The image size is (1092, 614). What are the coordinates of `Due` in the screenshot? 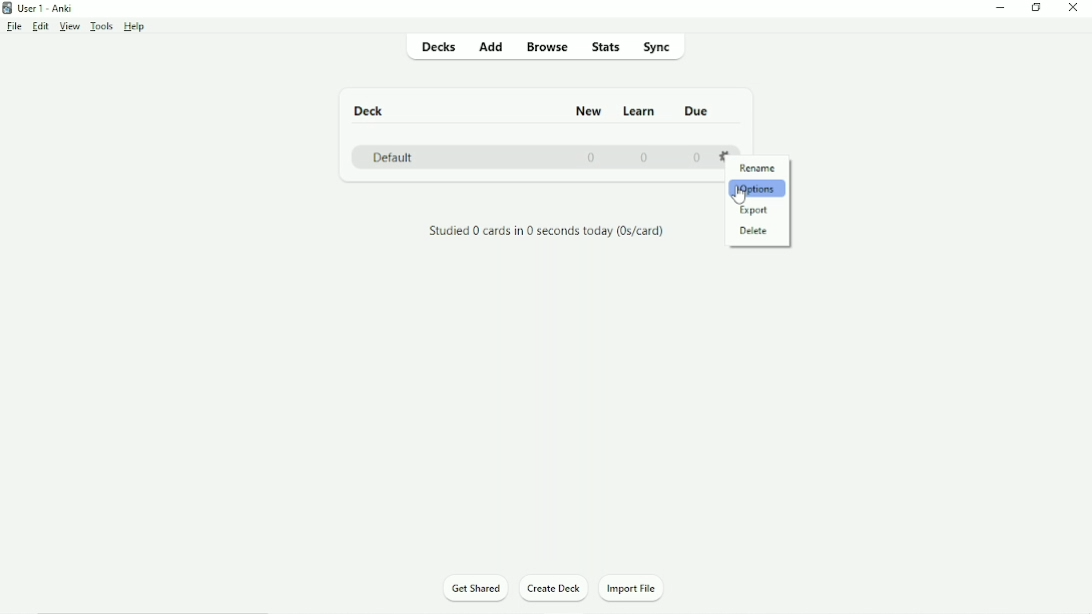 It's located at (699, 111).